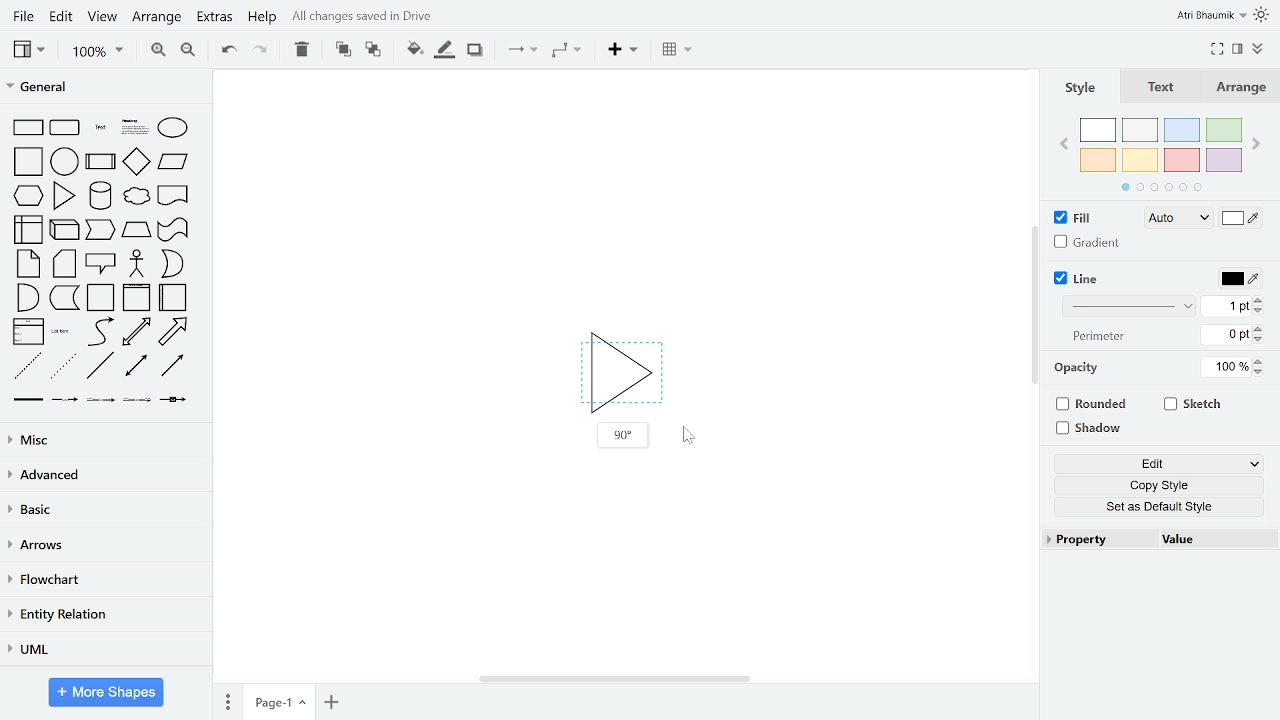 The width and height of the screenshot is (1280, 720). I want to click on card, so click(64, 264).